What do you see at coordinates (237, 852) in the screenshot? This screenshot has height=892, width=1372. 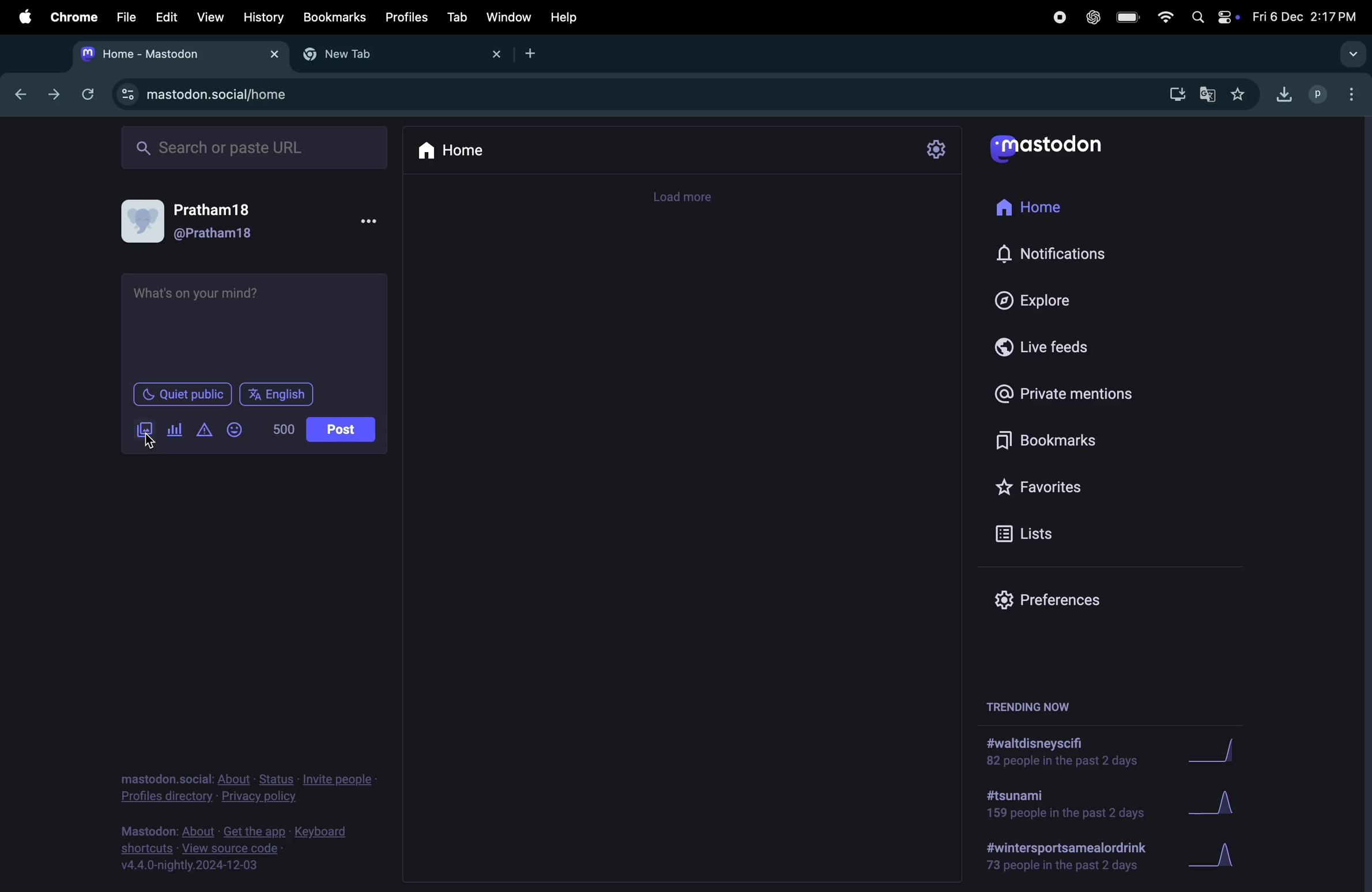 I see `view source code` at bounding box center [237, 852].